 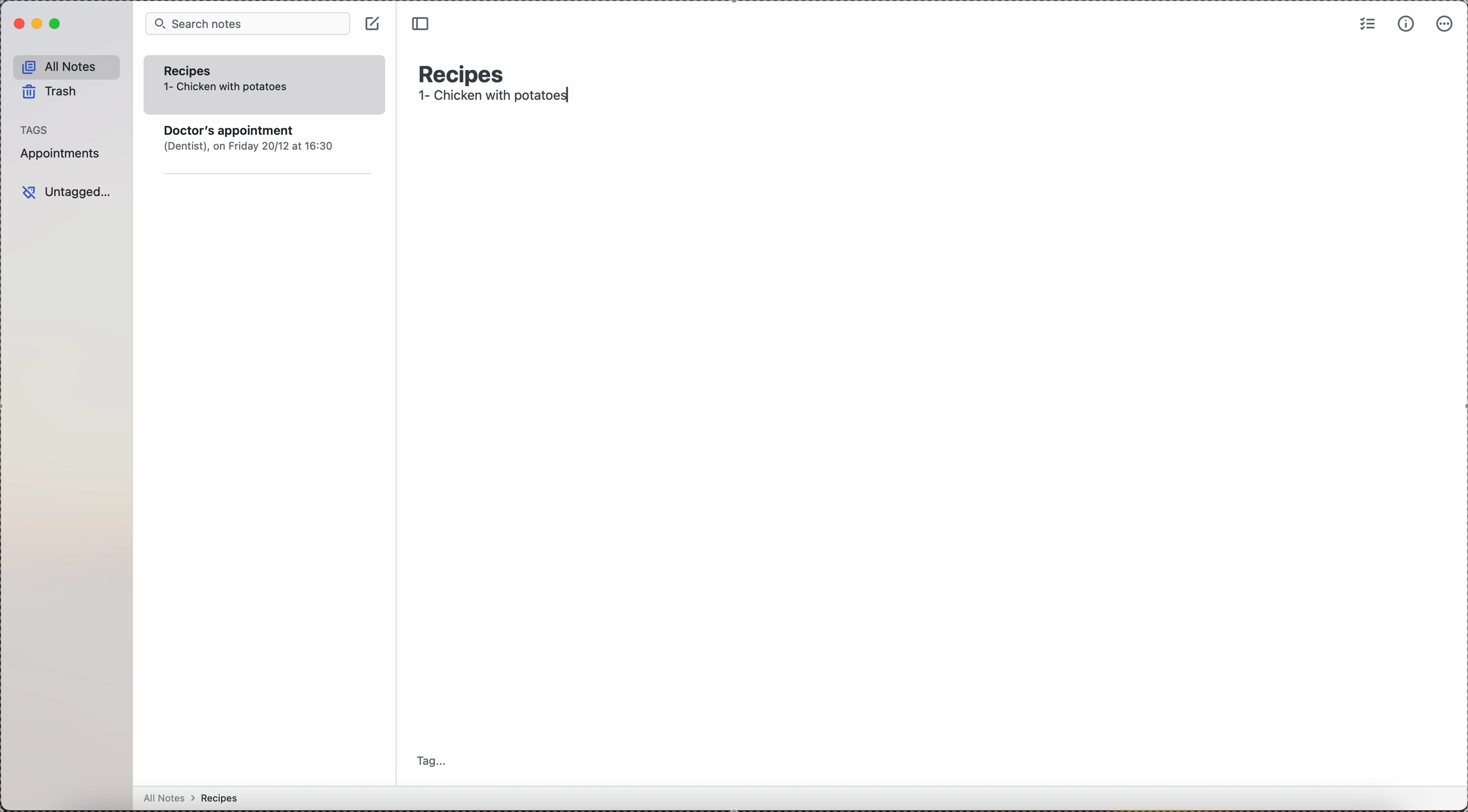 What do you see at coordinates (465, 73) in the screenshot?
I see `recipes` at bounding box center [465, 73].